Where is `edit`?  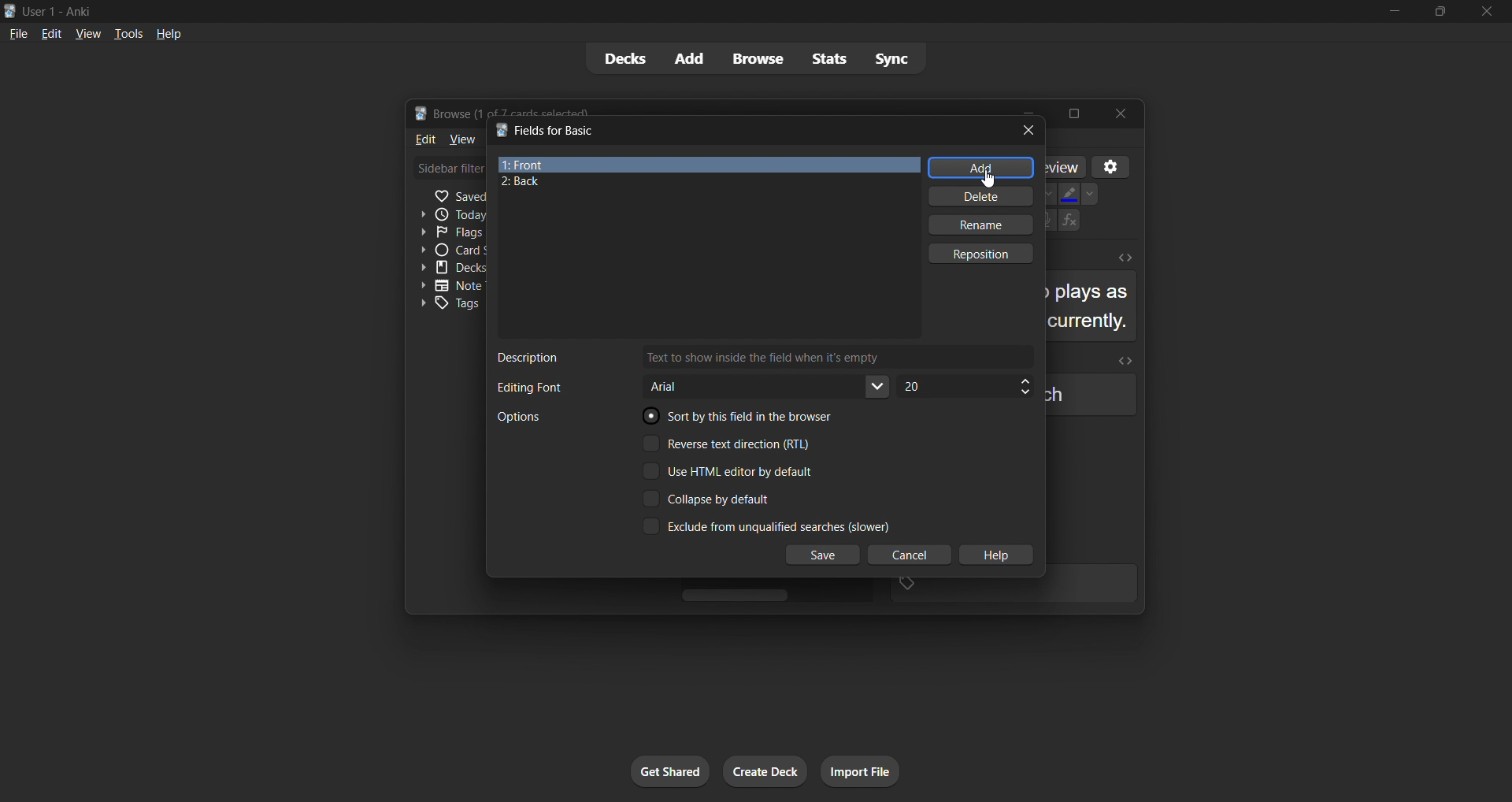
edit is located at coordinates (49, 33).